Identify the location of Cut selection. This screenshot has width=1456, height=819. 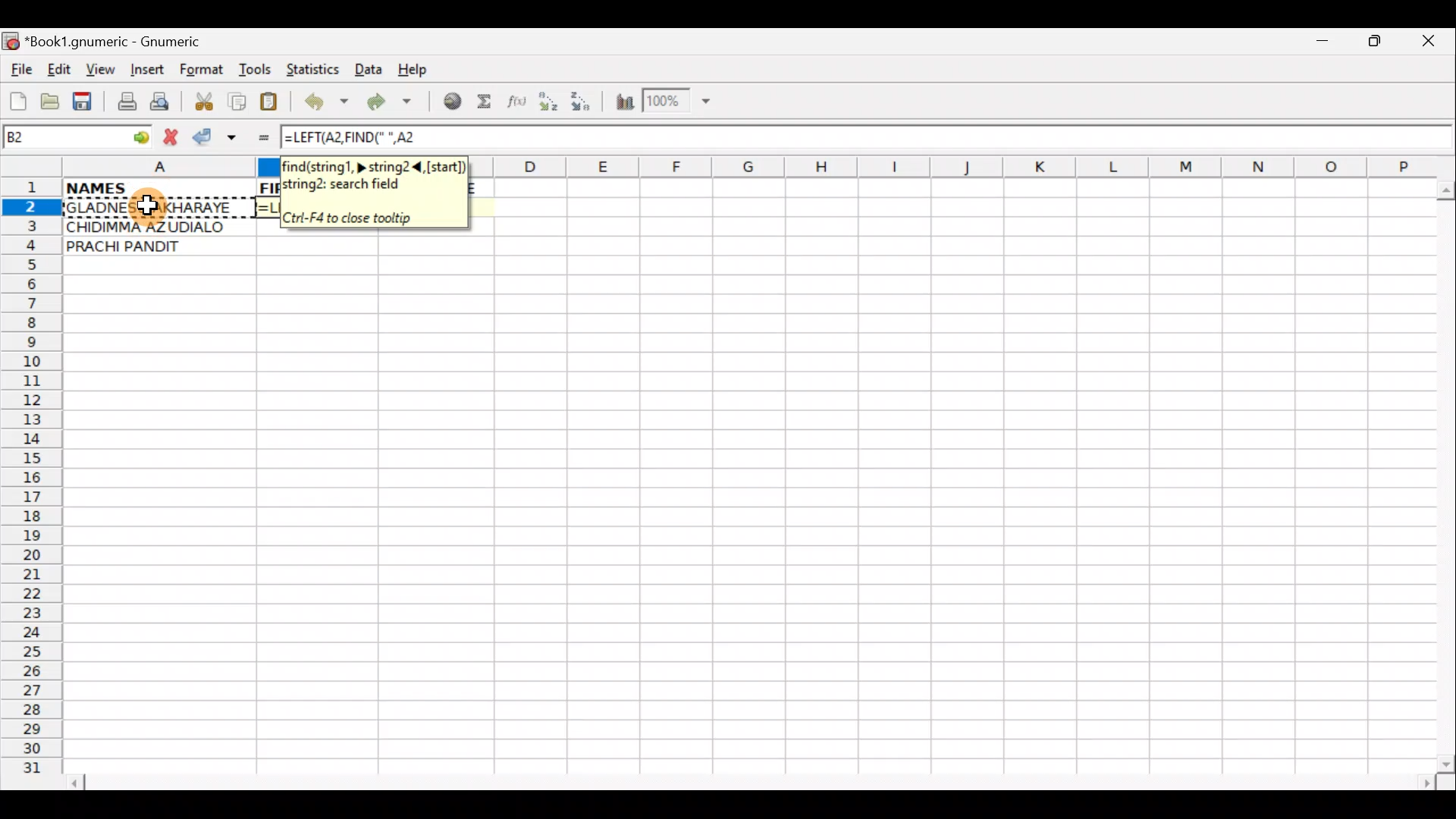
(203, 99).